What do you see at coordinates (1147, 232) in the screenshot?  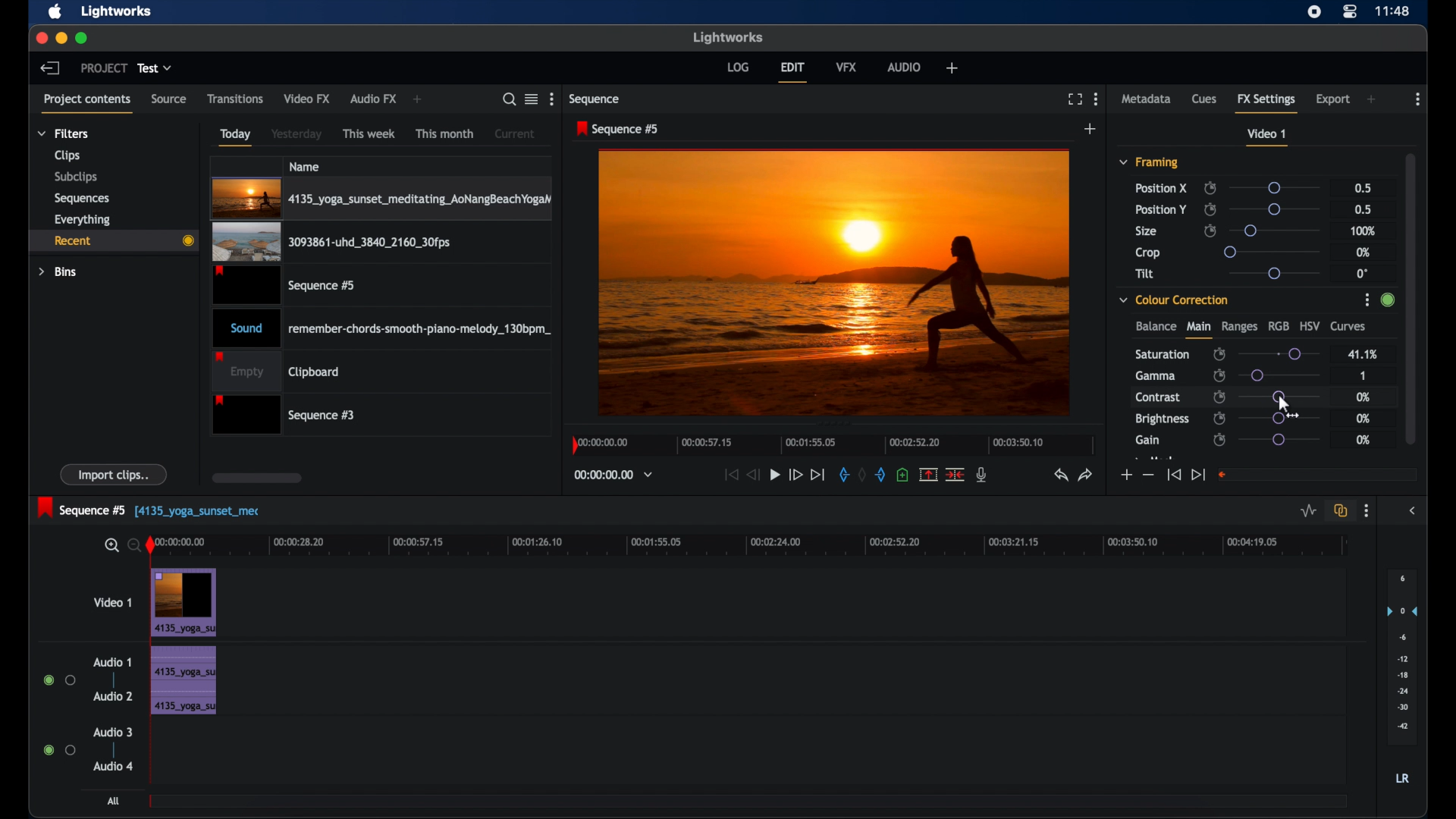 I see `size` at bounding box center [1147, 232].